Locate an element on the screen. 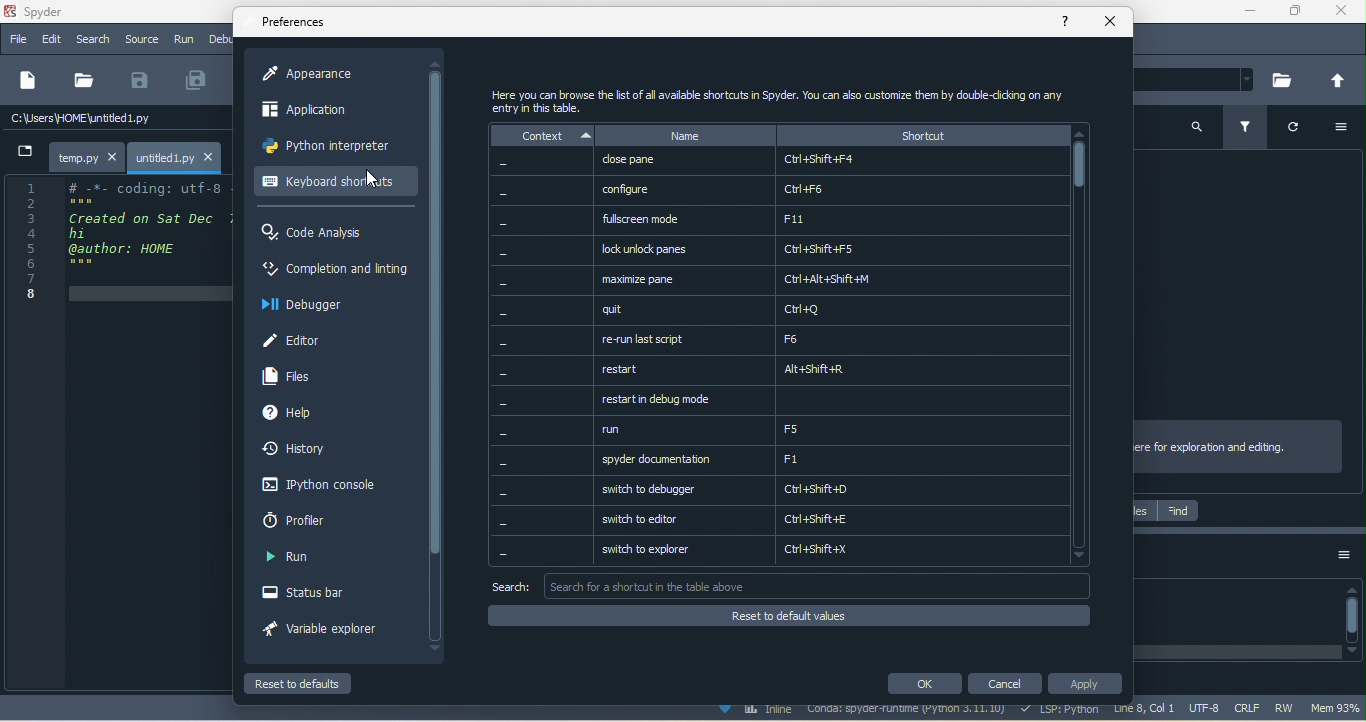 The width and height of the screenshot is (1366, 722). filter is located at coordinates (1248, 128).